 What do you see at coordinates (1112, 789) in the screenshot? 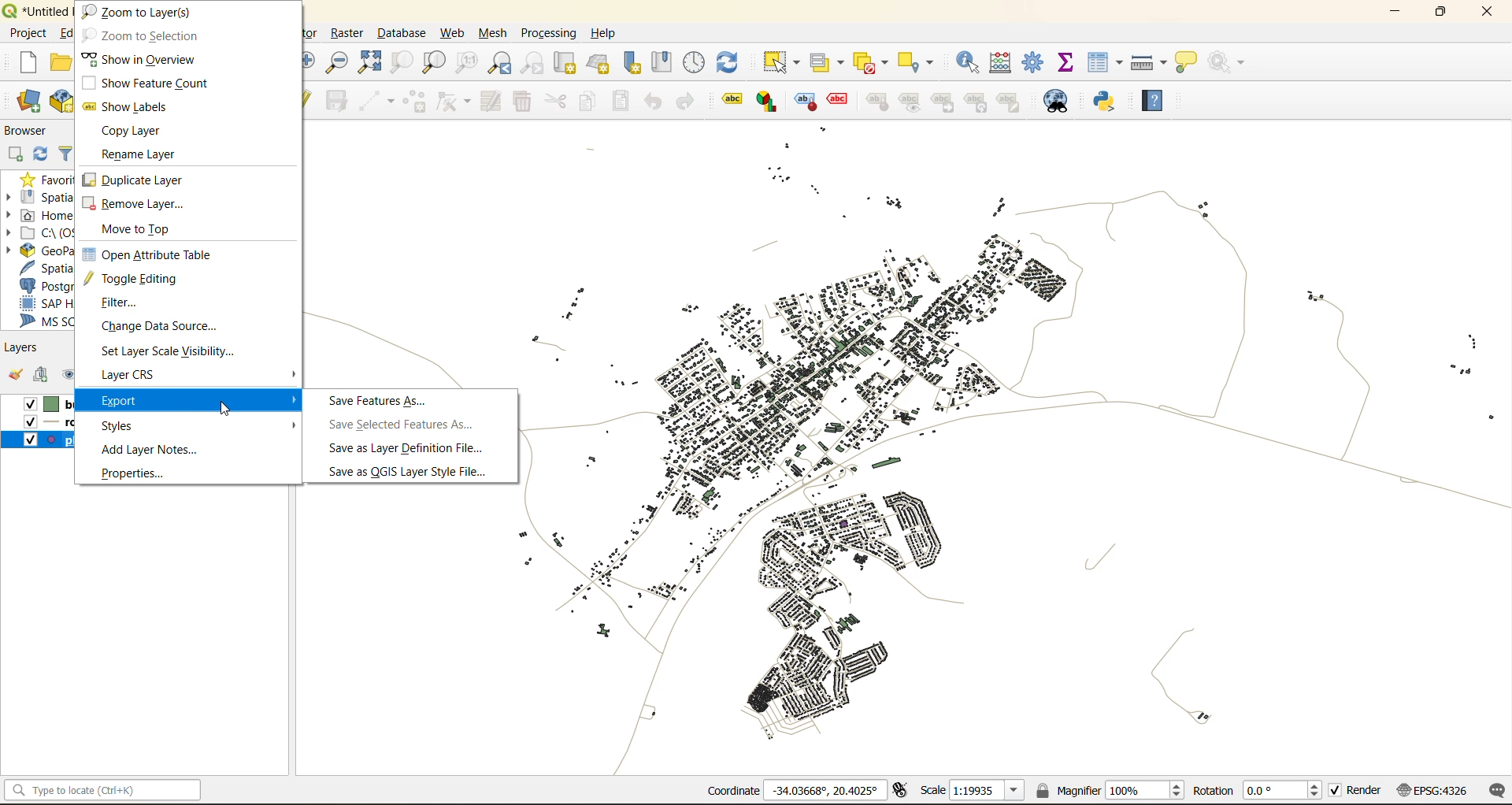
I see `magnifier` at bounding box center [1112, 789].